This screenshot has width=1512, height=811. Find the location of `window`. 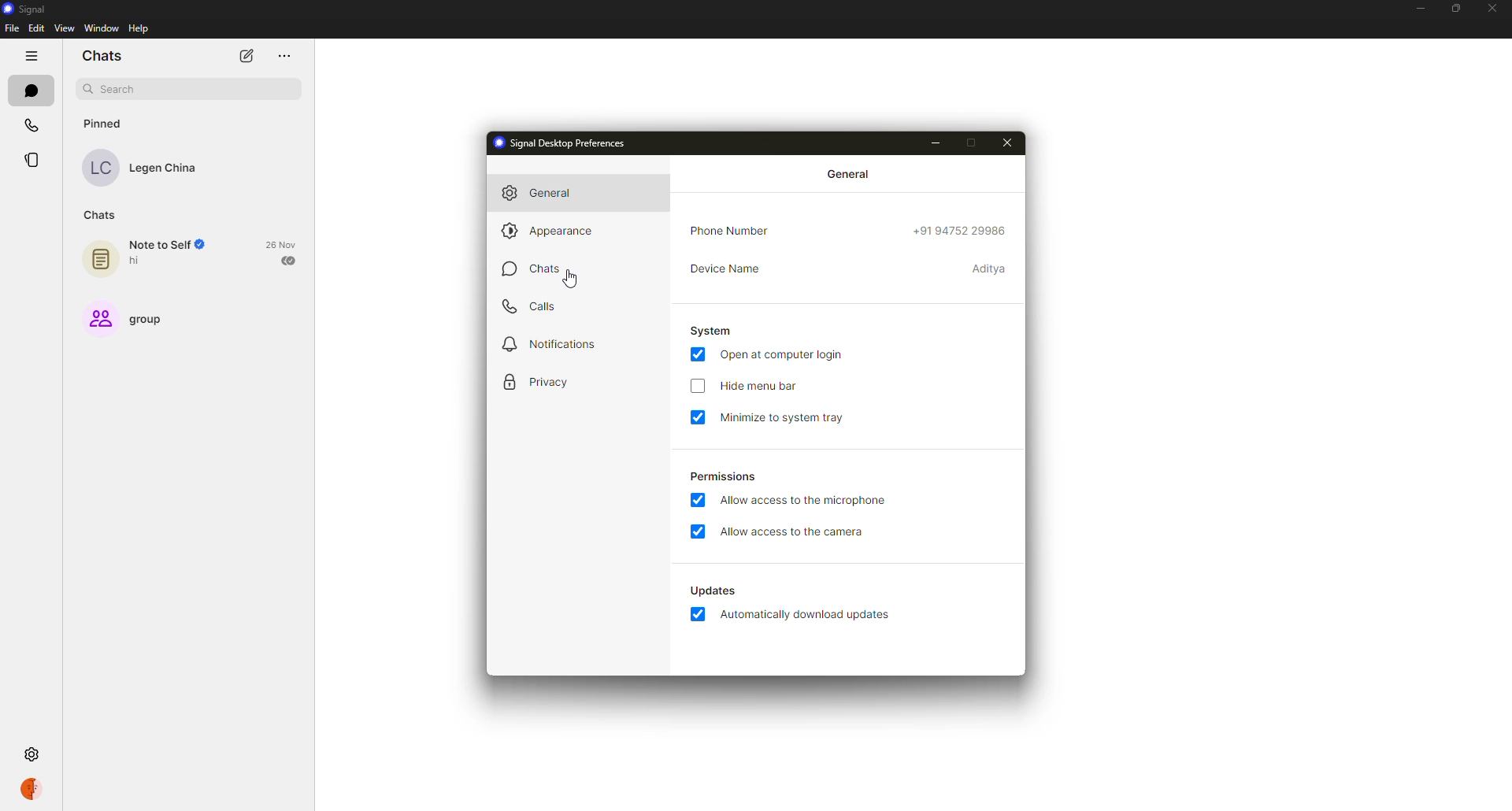

window is located at coordinates (102, 28).